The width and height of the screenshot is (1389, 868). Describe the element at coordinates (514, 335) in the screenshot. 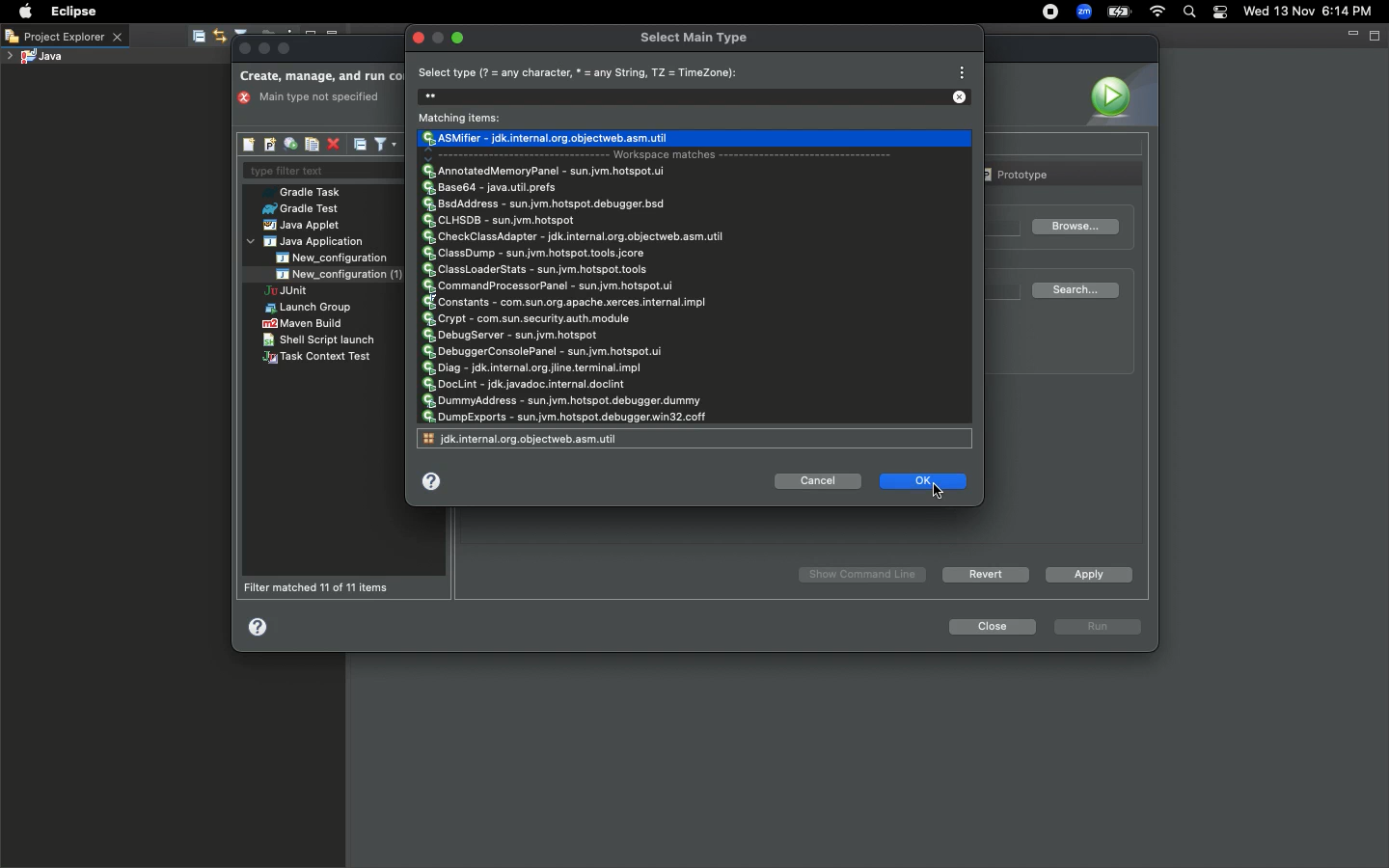

I see `DebugServer - sun.jvm.hotspot` at that location.